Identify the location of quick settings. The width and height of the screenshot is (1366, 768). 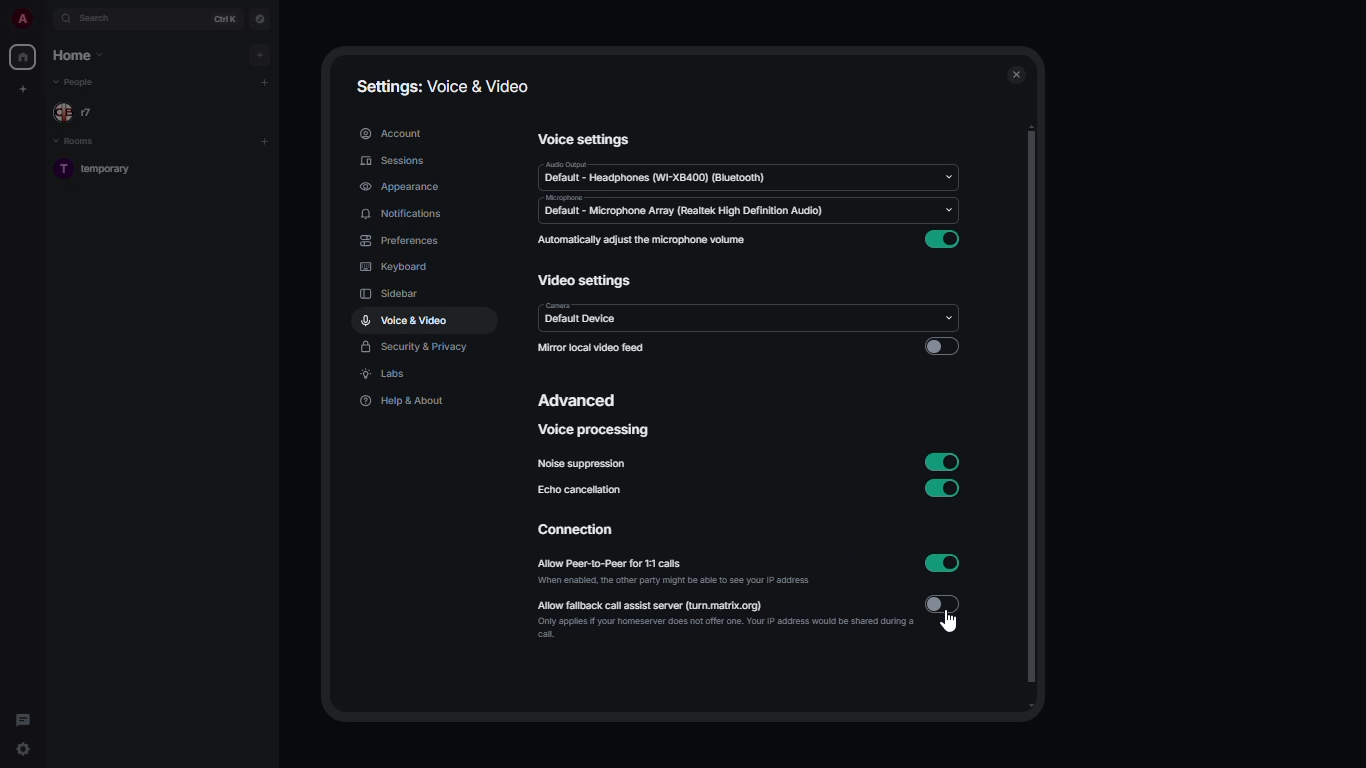
(23, 749).